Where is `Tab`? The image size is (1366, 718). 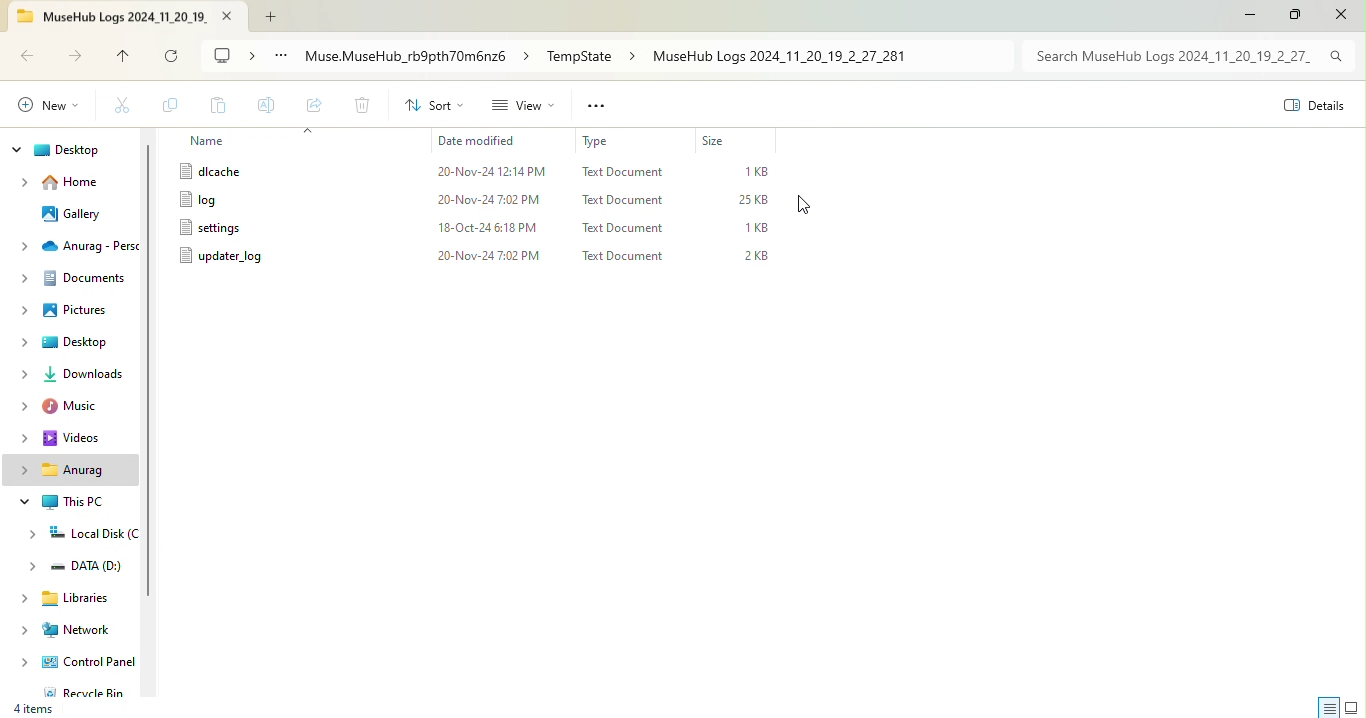 Tab is located at coordinates (126, 16).